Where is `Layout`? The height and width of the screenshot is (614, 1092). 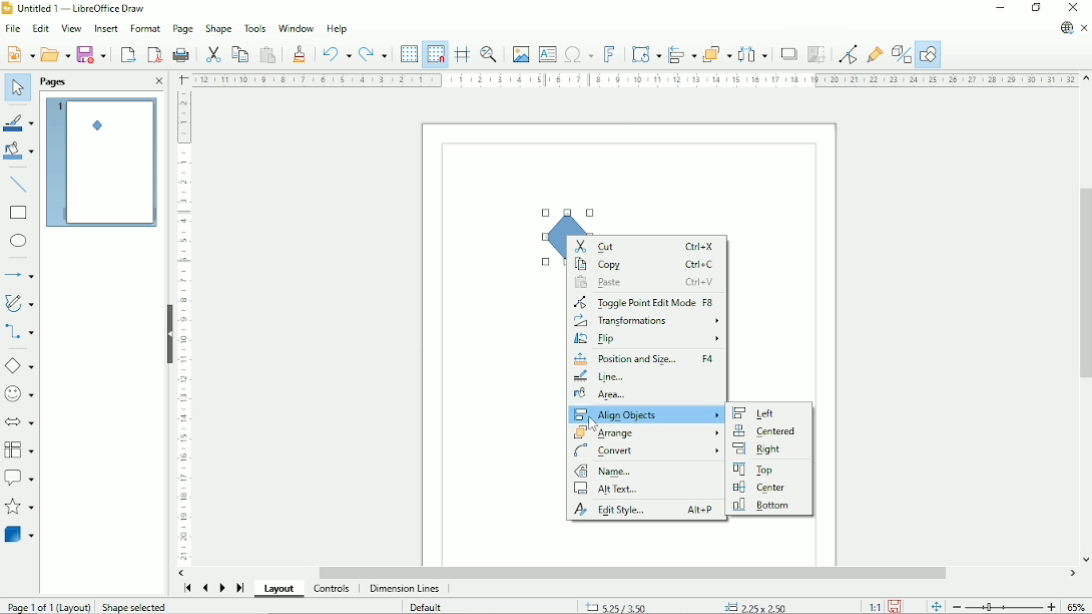 Layout is located at coordinates (279, 590).